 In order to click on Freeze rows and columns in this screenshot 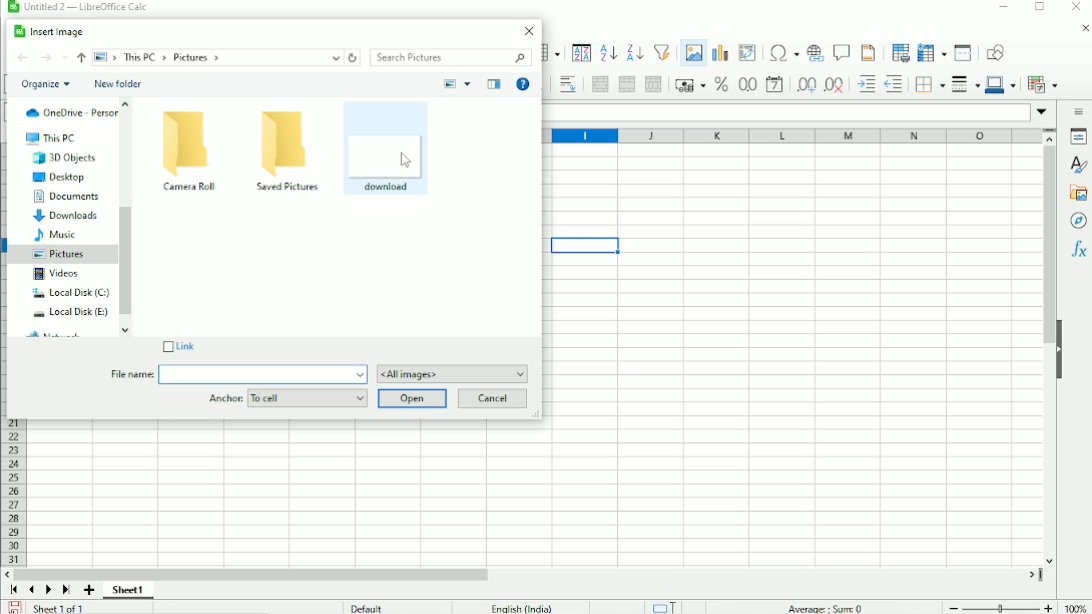, I will do `click(931, 52)`.